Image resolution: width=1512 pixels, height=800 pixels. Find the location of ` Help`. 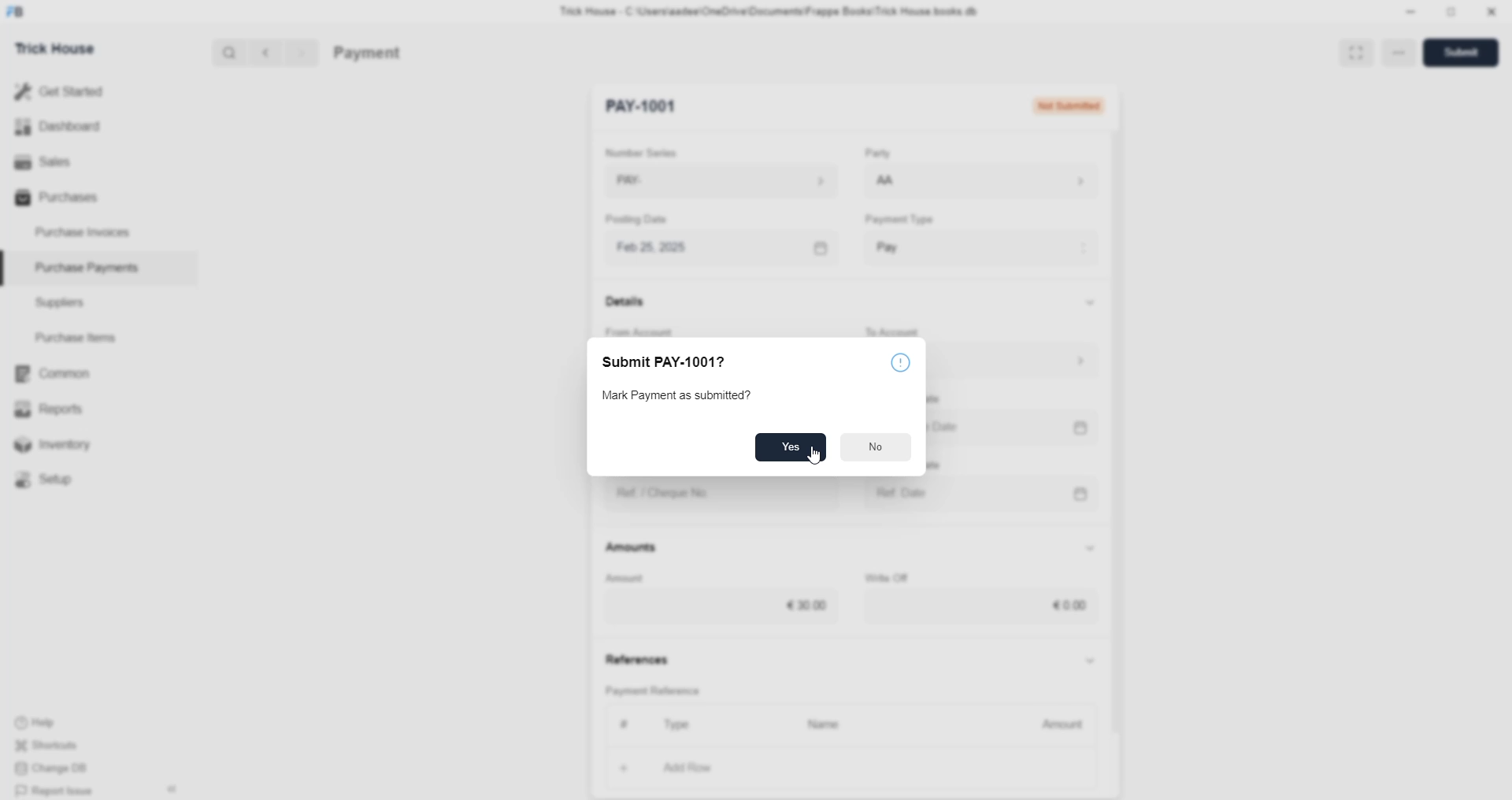

 Help is located at coordinates (59, 720).